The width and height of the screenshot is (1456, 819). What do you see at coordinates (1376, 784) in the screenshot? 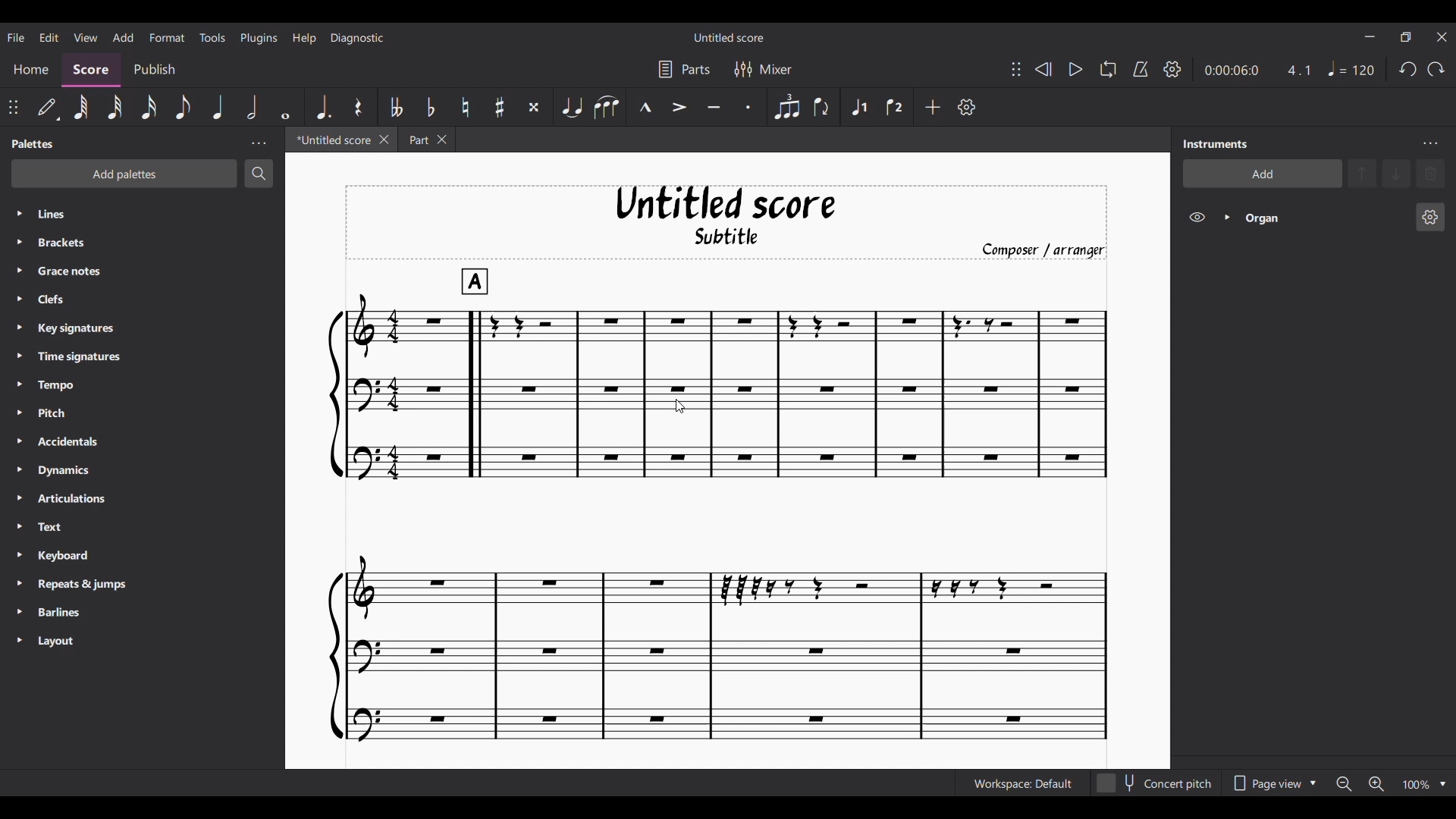
I see `Zoom in` at bounding box center [1376, 784].